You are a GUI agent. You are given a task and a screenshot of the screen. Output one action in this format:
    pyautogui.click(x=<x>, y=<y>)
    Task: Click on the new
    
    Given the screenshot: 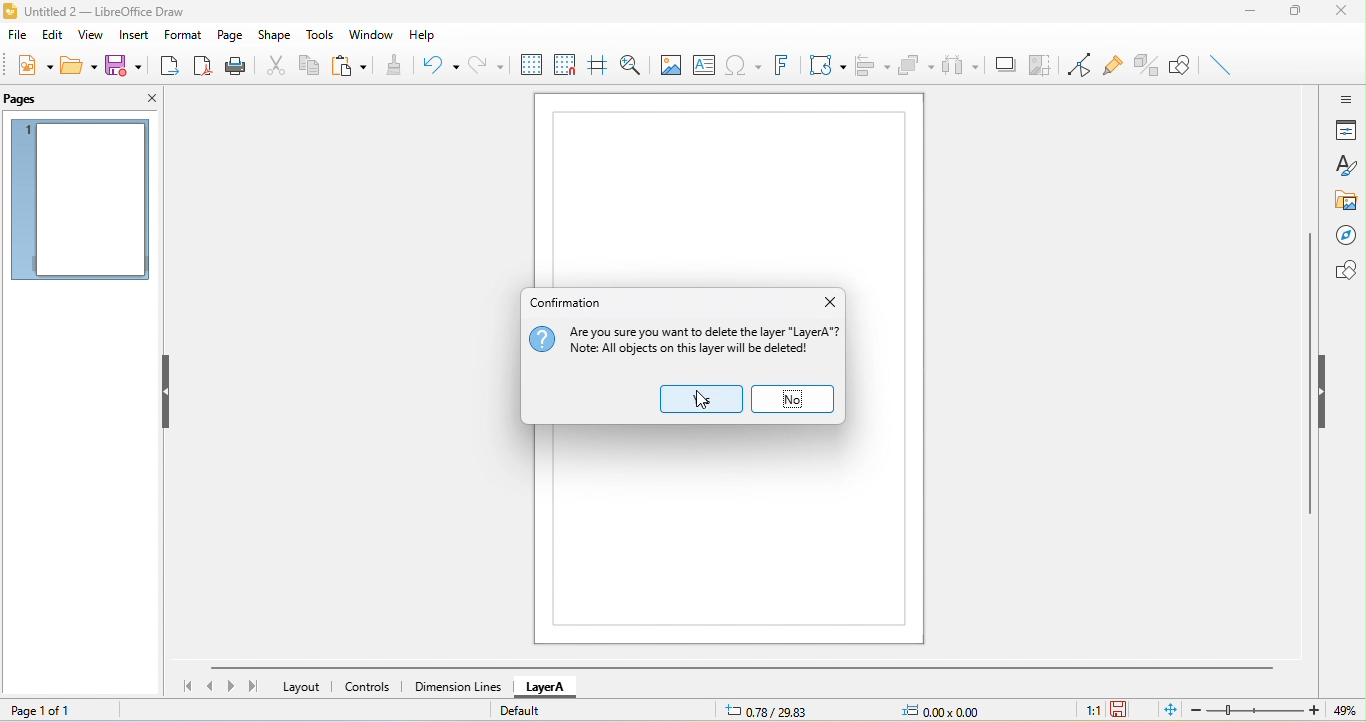 What is the action you would take?
    pyautogui.click(x=29, y=64)
    